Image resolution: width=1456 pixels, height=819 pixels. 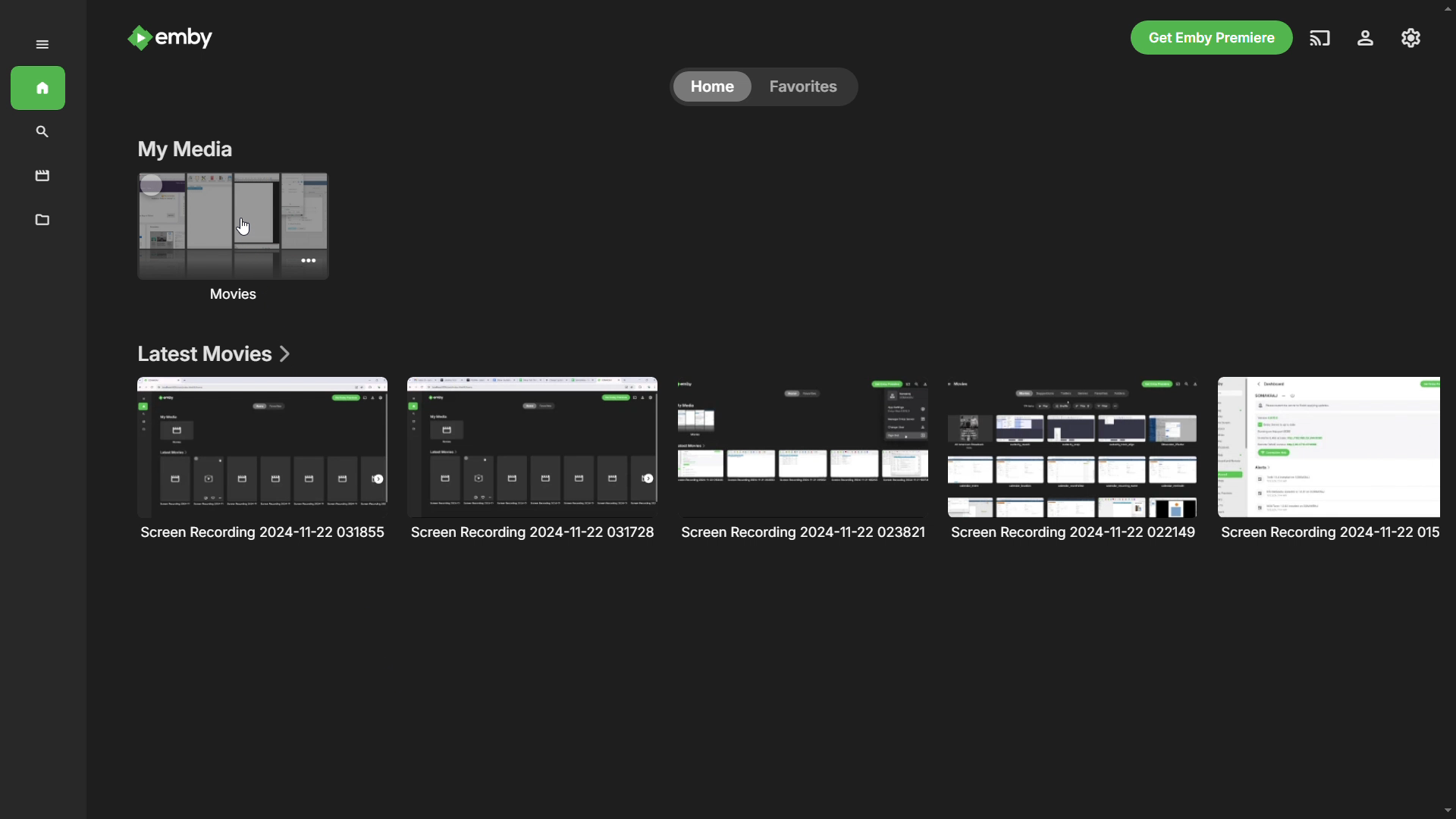 I want to click on latest movies, so click(x=209, y=354).